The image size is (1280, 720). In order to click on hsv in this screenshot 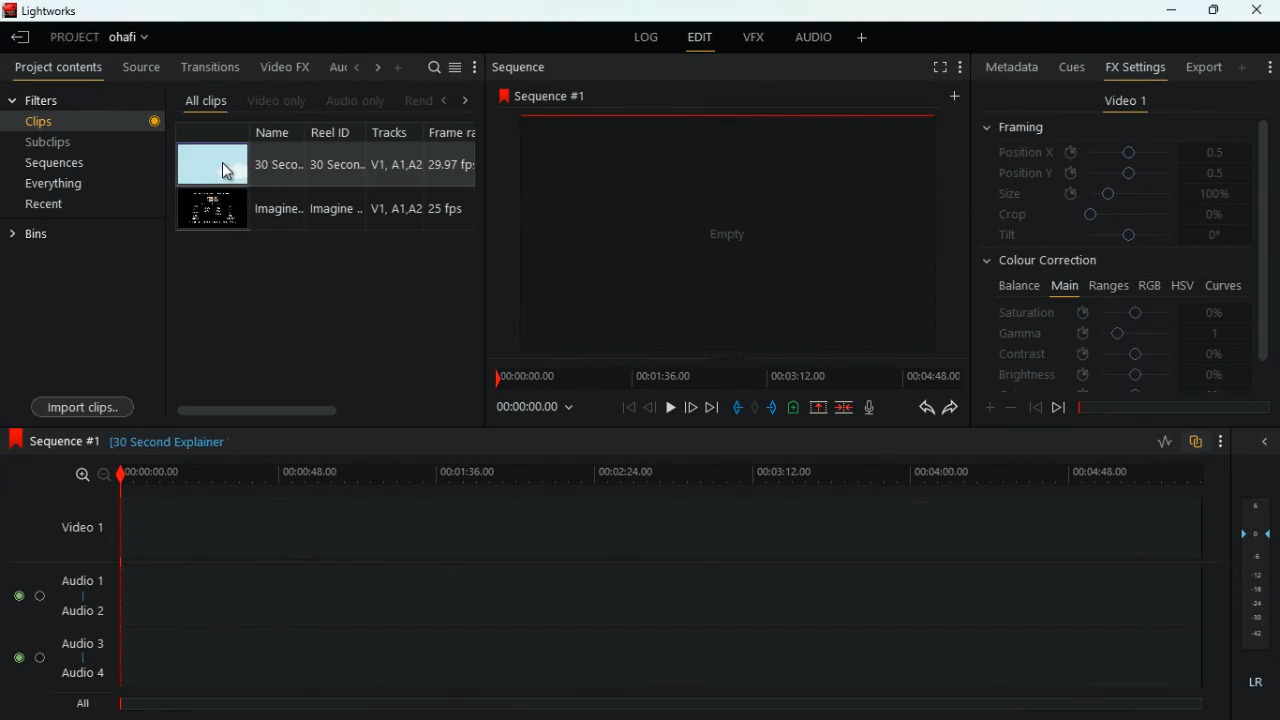, I will do `click(1182, 285)`.